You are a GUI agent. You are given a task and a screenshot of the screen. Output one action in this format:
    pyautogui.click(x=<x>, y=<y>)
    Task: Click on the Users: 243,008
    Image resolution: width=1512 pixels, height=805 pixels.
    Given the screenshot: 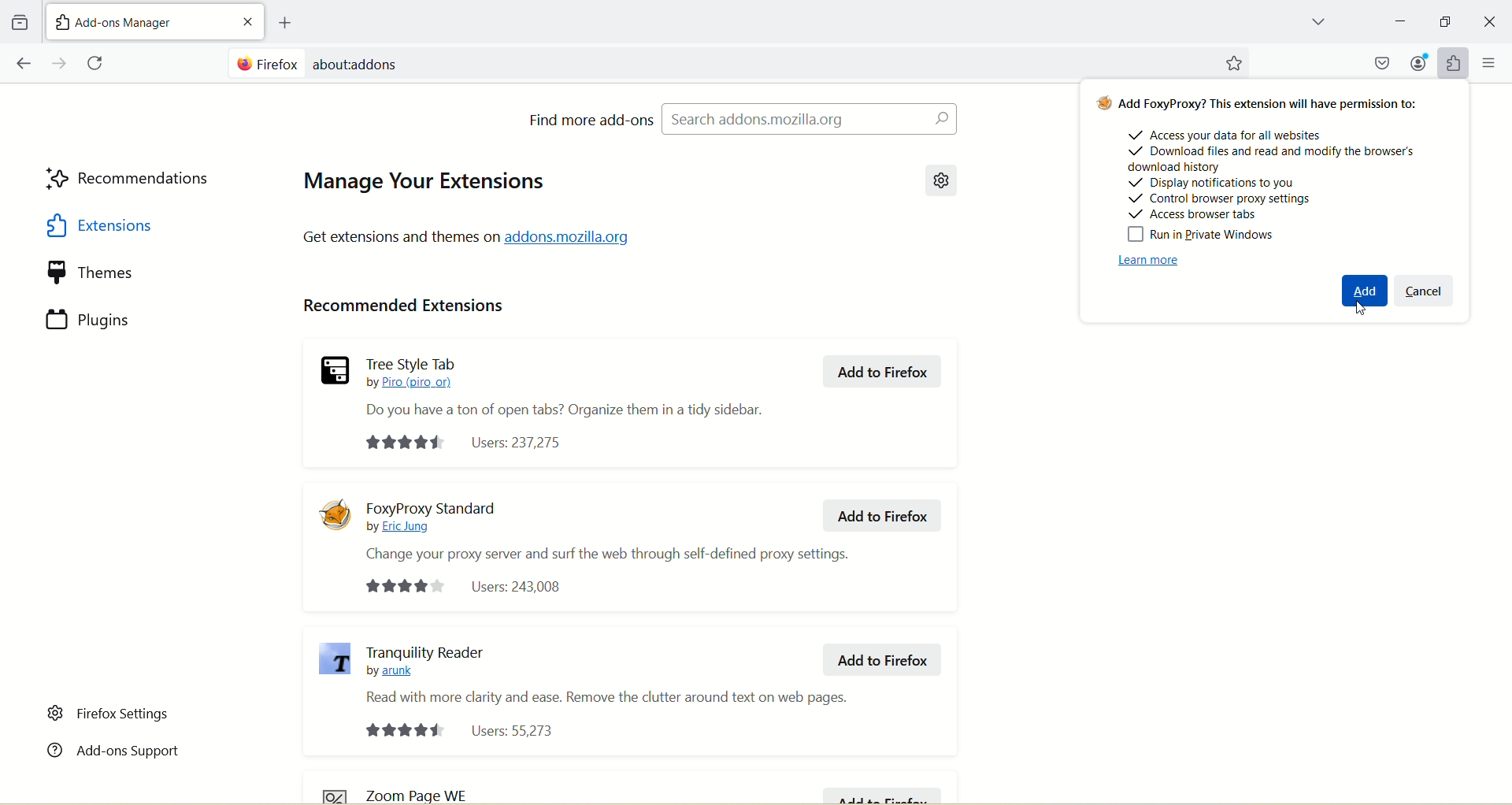 What is the action you would take?
    pyautogui.click(x=464, y=585)
    